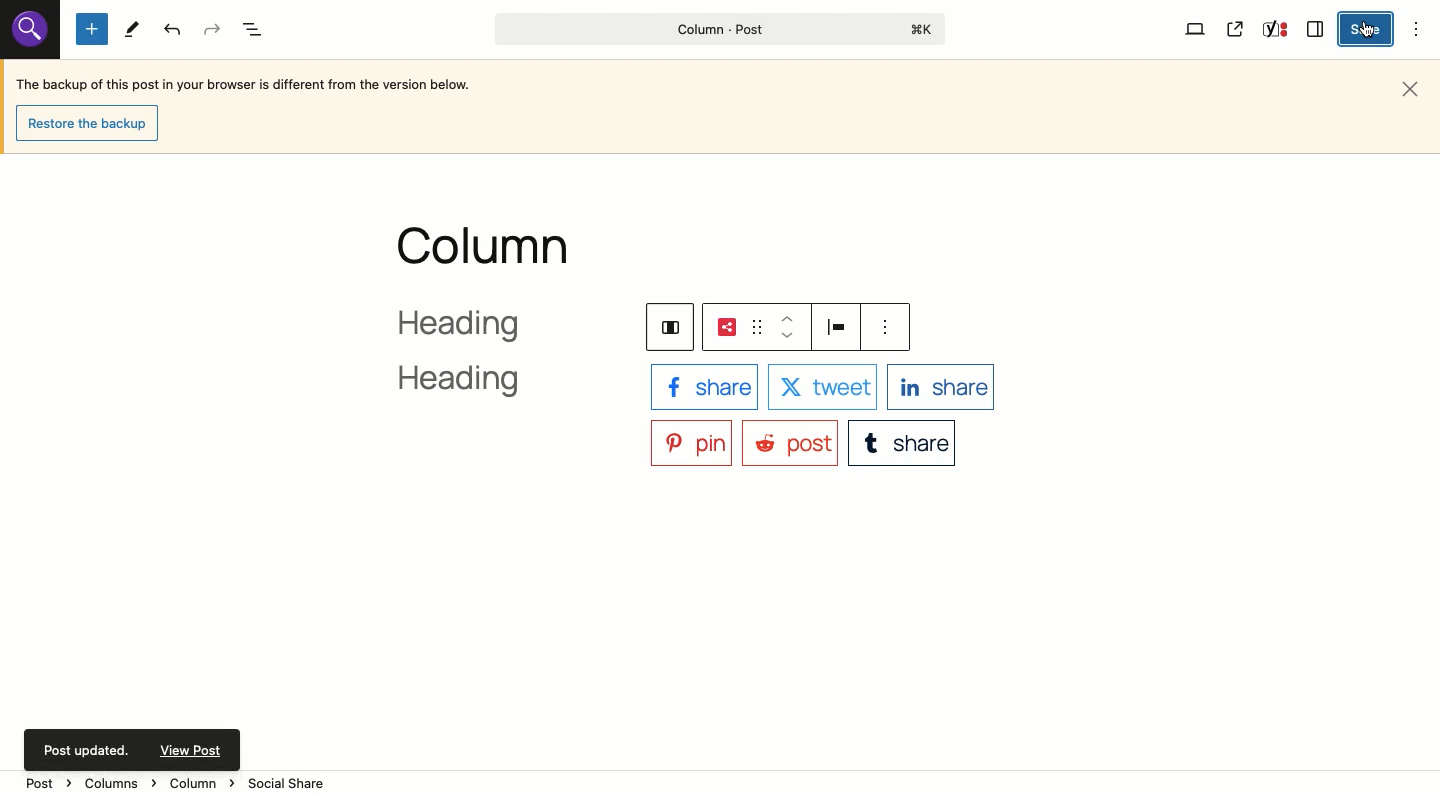 This screenshot has height=794, width=1440. What do you see at coordinates (726, 327) in the screenshot?
I see `Social share` at bounding box center [726, 327].